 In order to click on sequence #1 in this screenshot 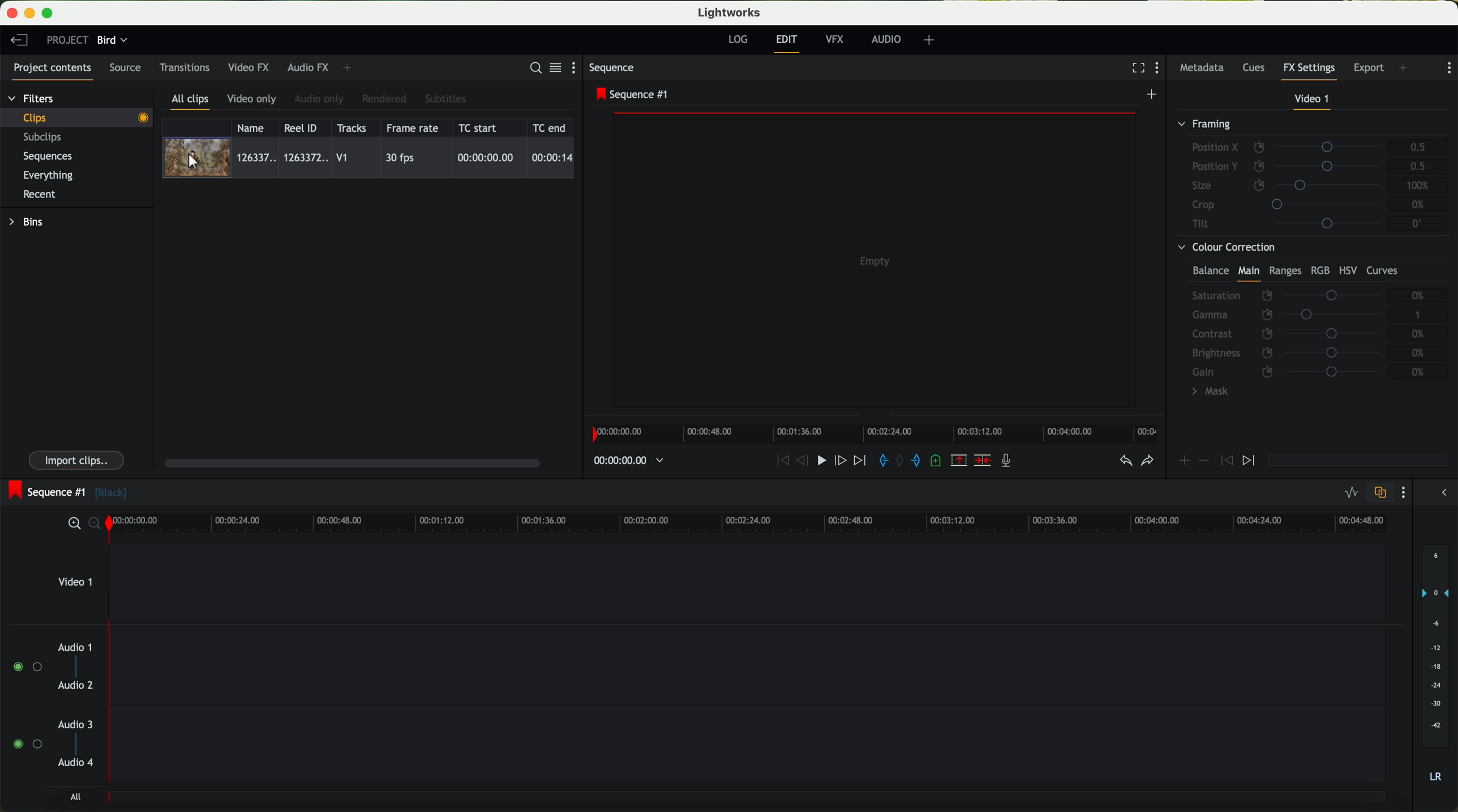, I will do `click(633, 94)`.